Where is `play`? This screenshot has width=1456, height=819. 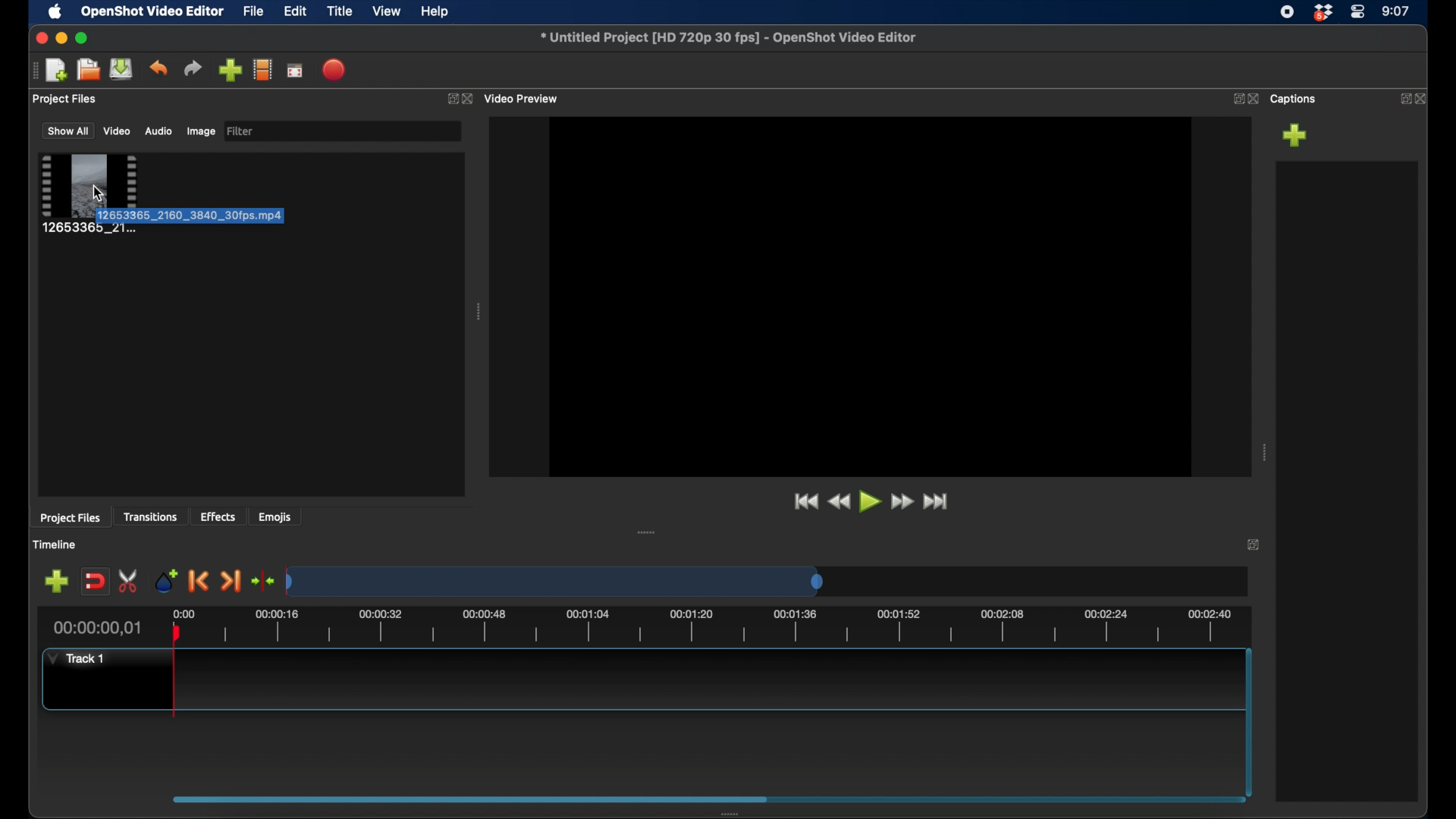 play is located at coordinates (869, 501).